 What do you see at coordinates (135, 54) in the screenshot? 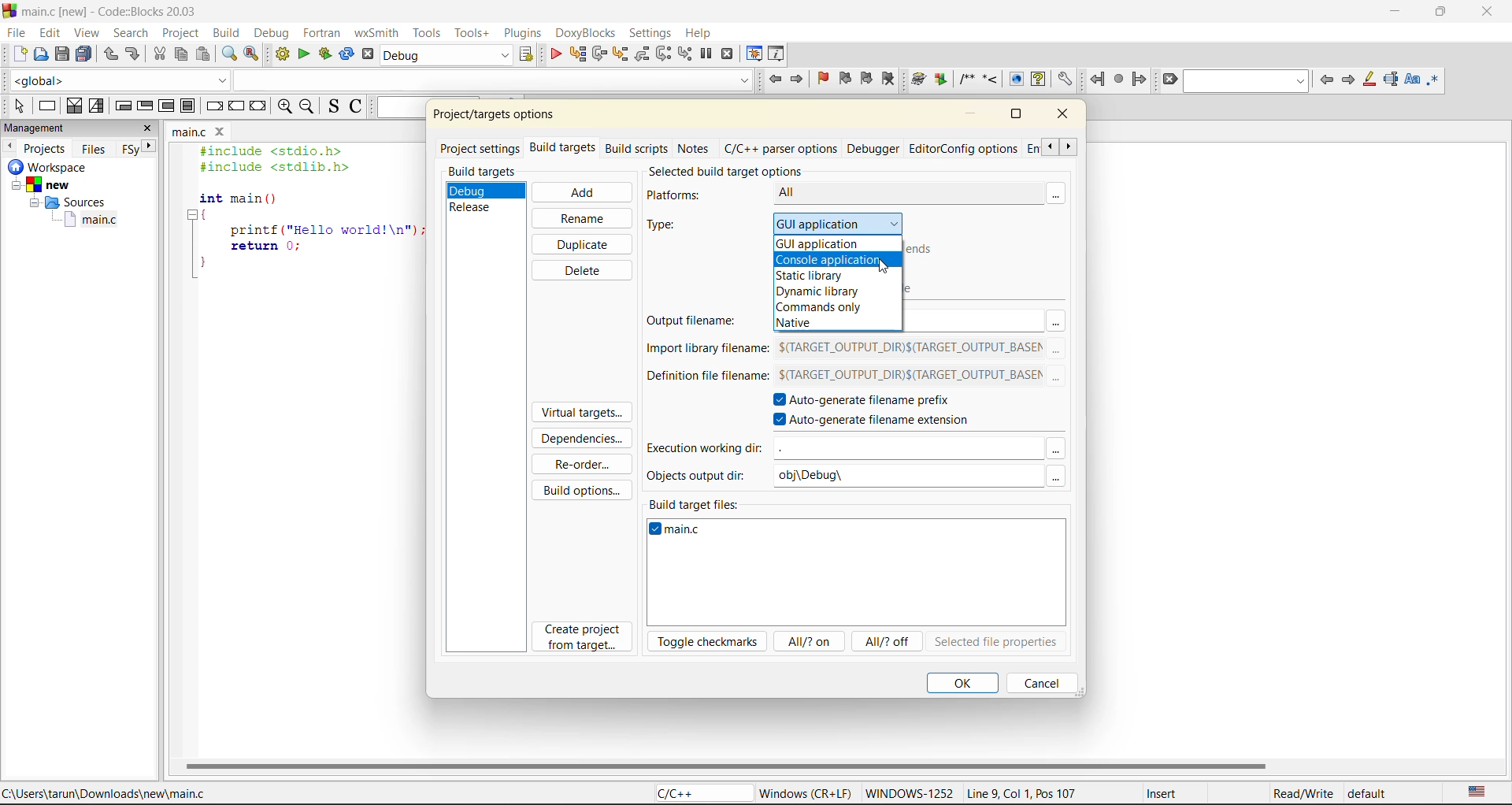
I see `redo` at bounding box center [135, 54].